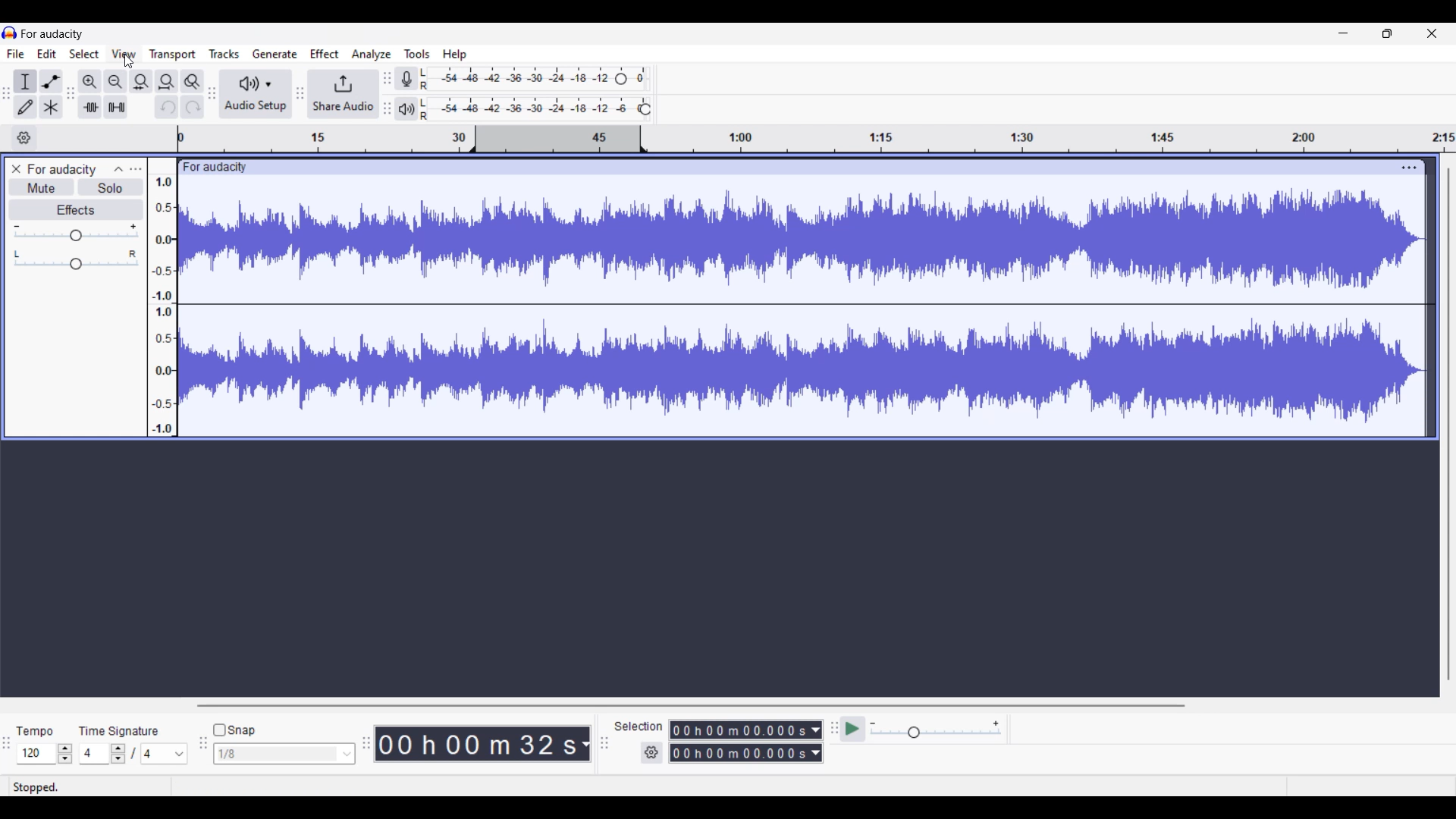 The height and width of the screenshot is (819, 1456). What do you see at coordinates (26, 107) in the screenshot?
I see `Draw tool` at bounding box center [26, 107].